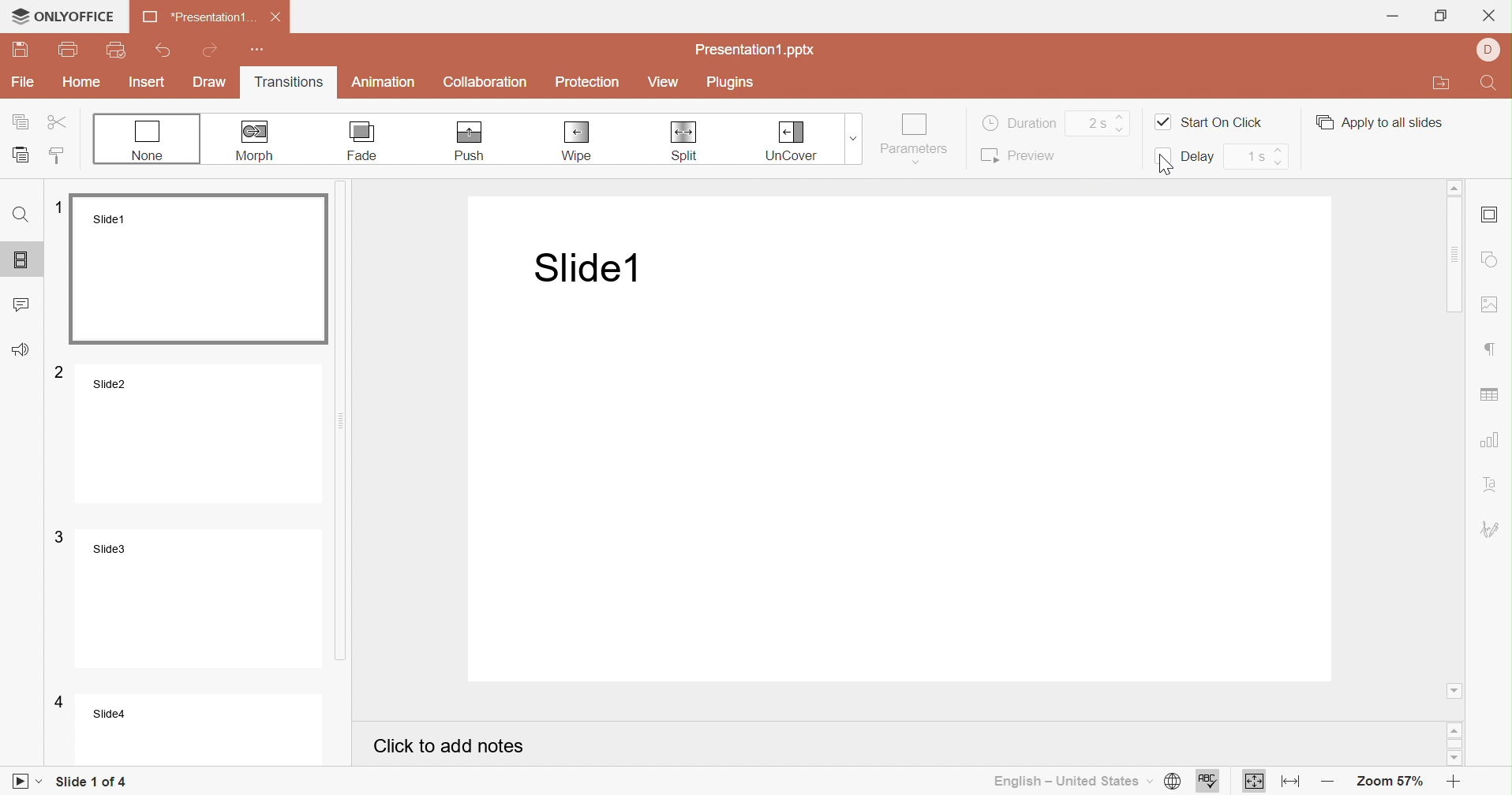  I want to click on Draw, so click(211, 84).